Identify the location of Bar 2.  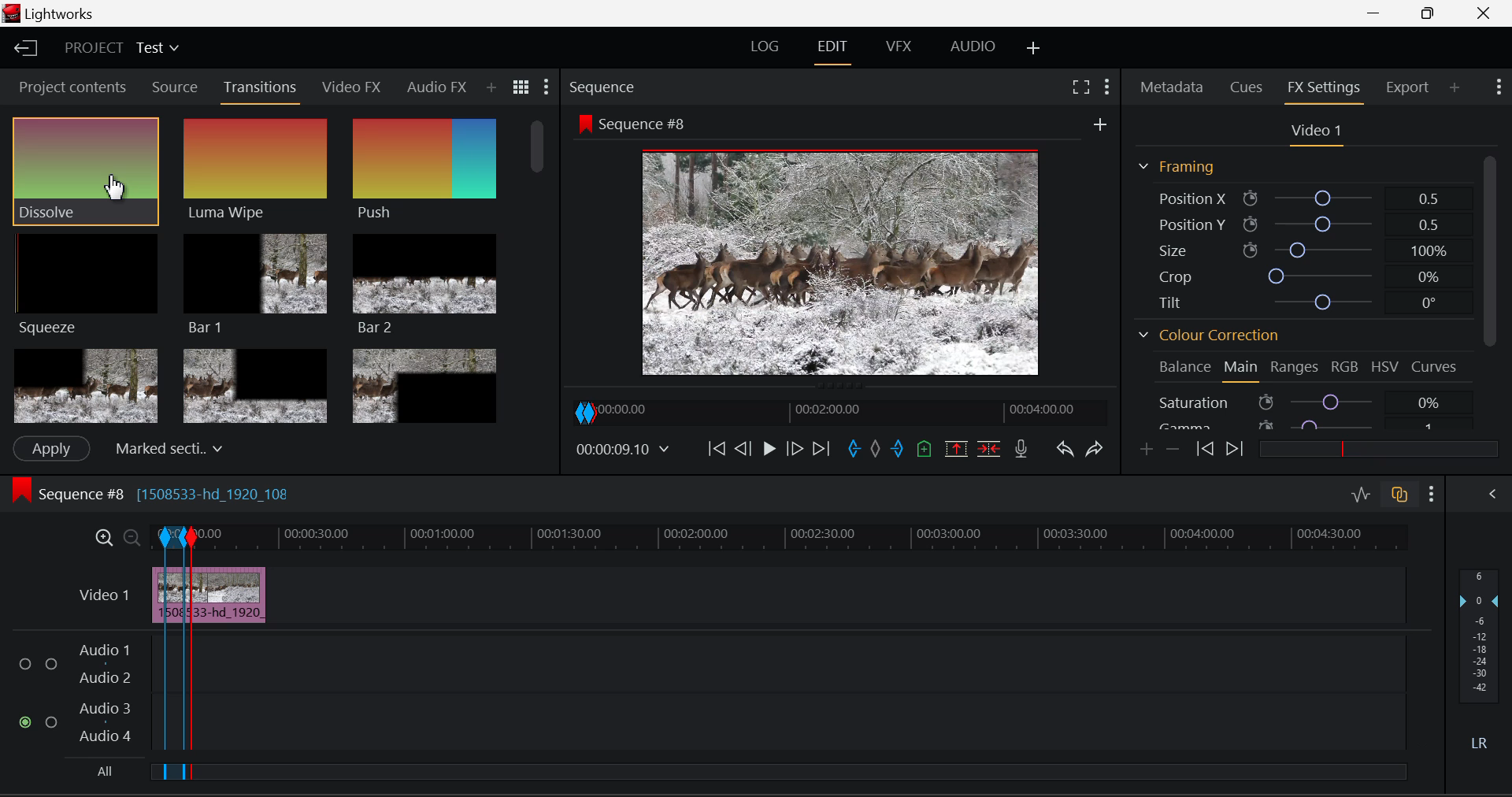
(424, 284).